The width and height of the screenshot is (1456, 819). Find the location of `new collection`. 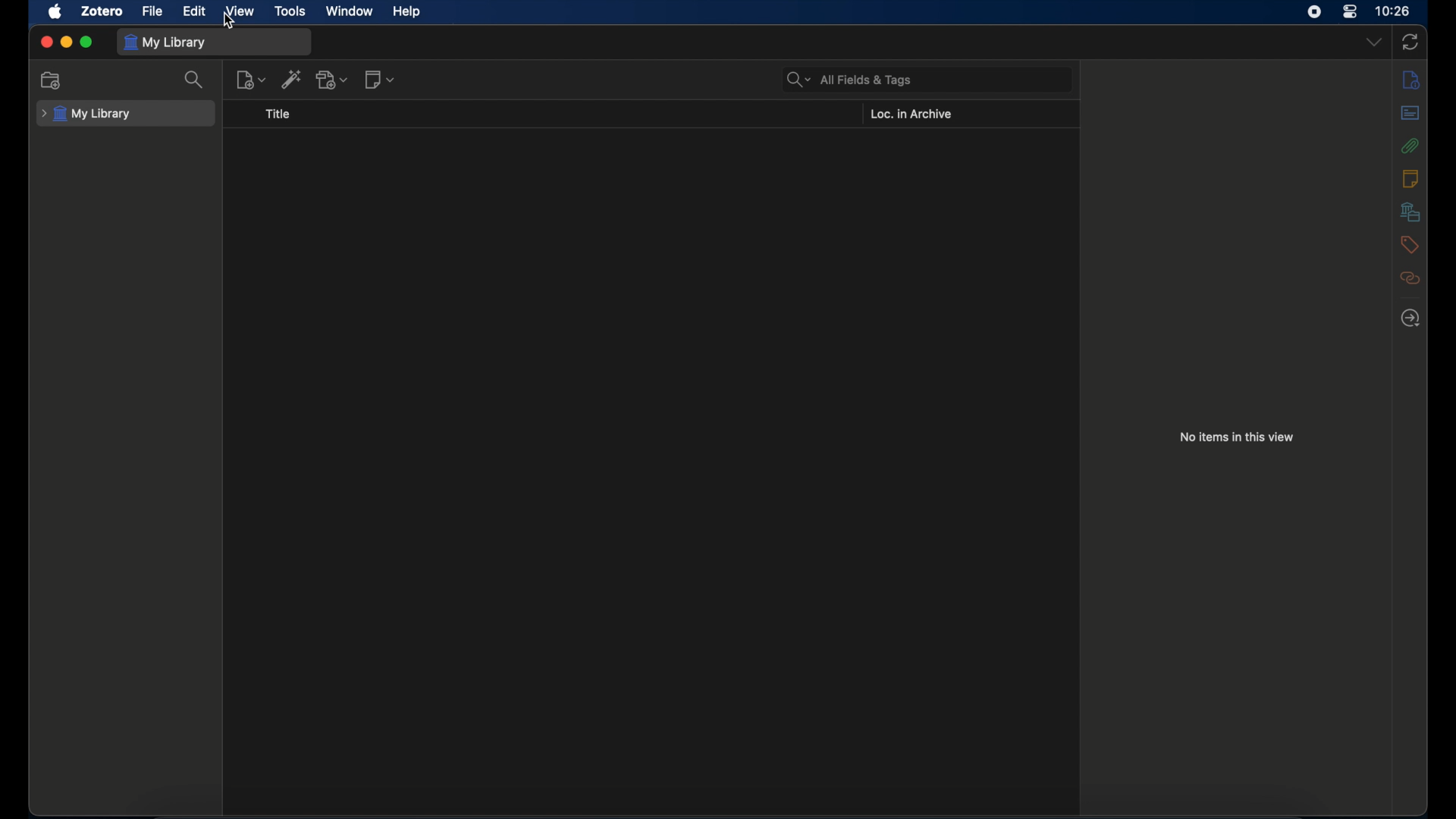

new collection is located at coordinates (51, 80).